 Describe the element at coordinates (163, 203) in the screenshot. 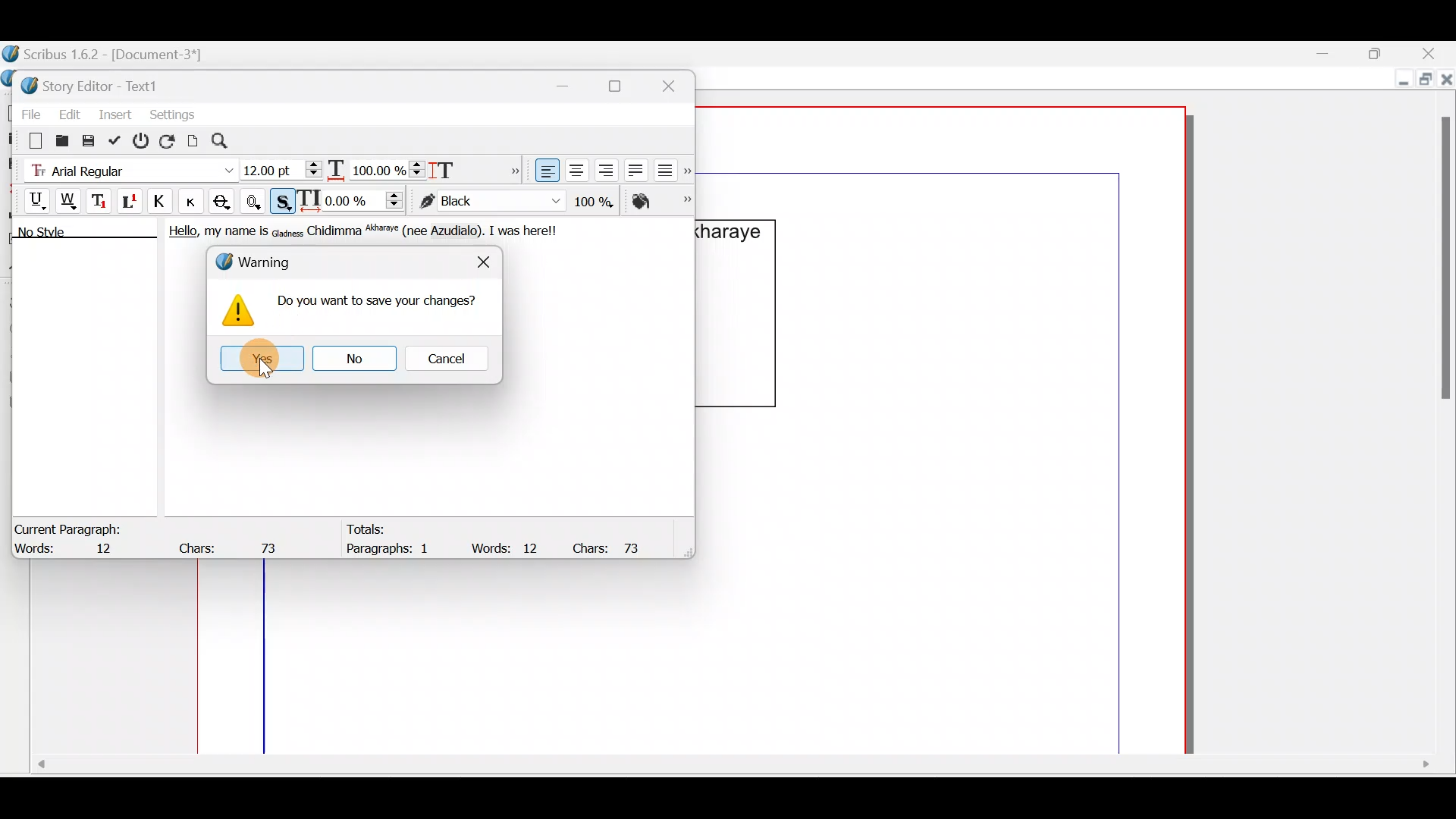

I see `All caps` at that location.